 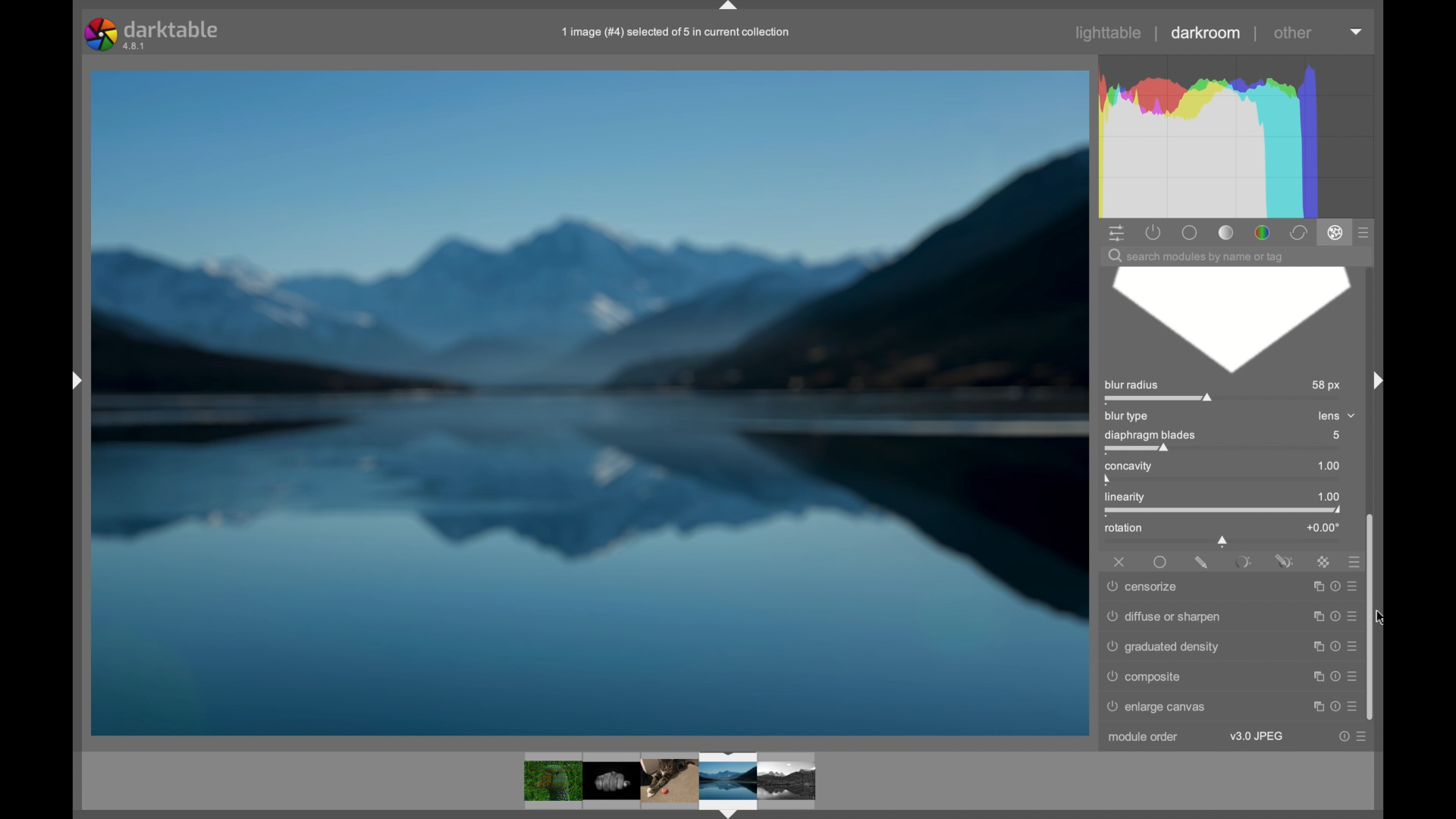 I want to click on 1 image (#4) selected of § in current collection, so click(x=673, y=32).